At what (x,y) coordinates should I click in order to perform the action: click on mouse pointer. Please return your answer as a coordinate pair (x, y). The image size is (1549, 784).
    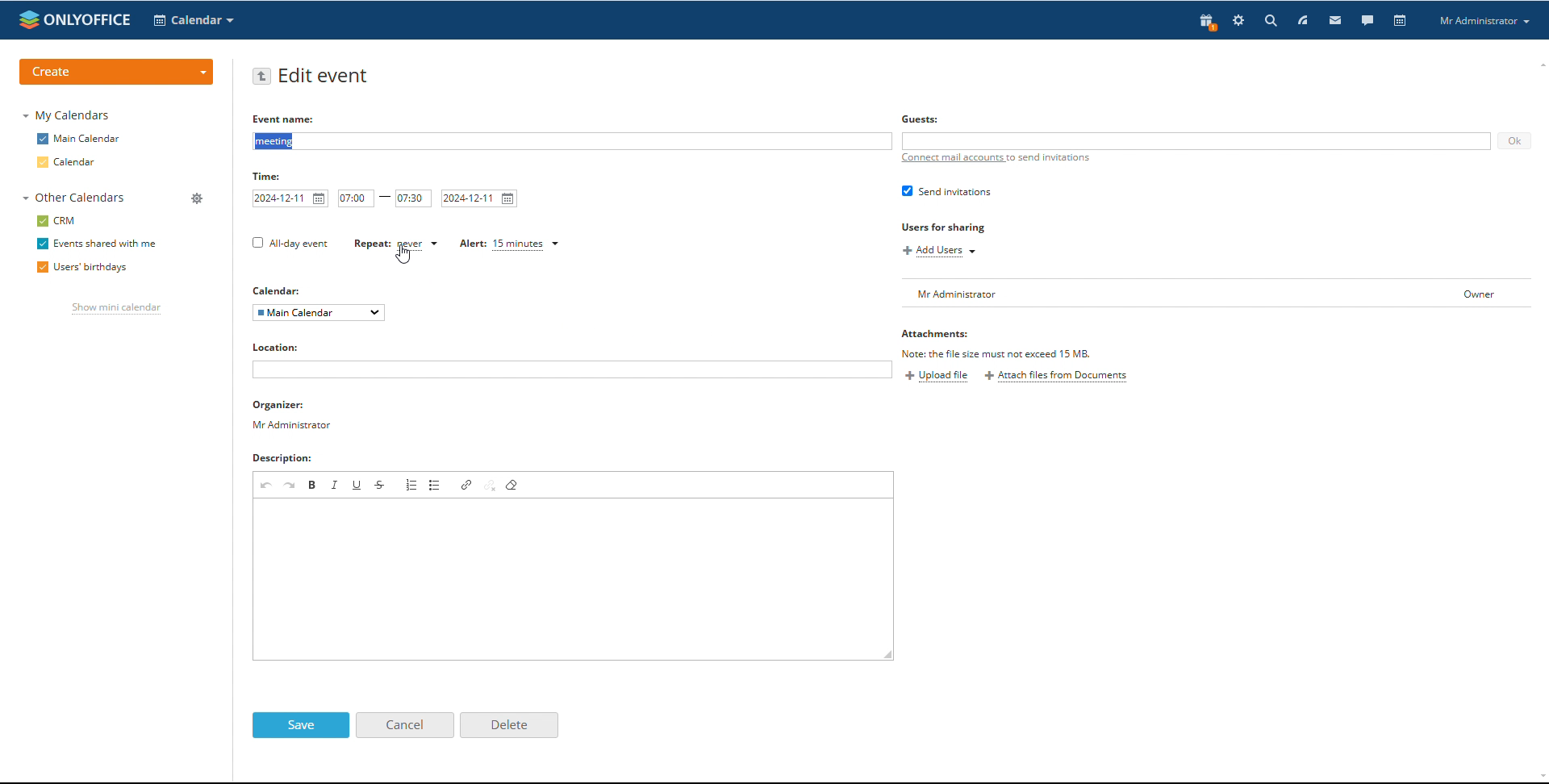
    Looking at the image, I should click on (404, 256).